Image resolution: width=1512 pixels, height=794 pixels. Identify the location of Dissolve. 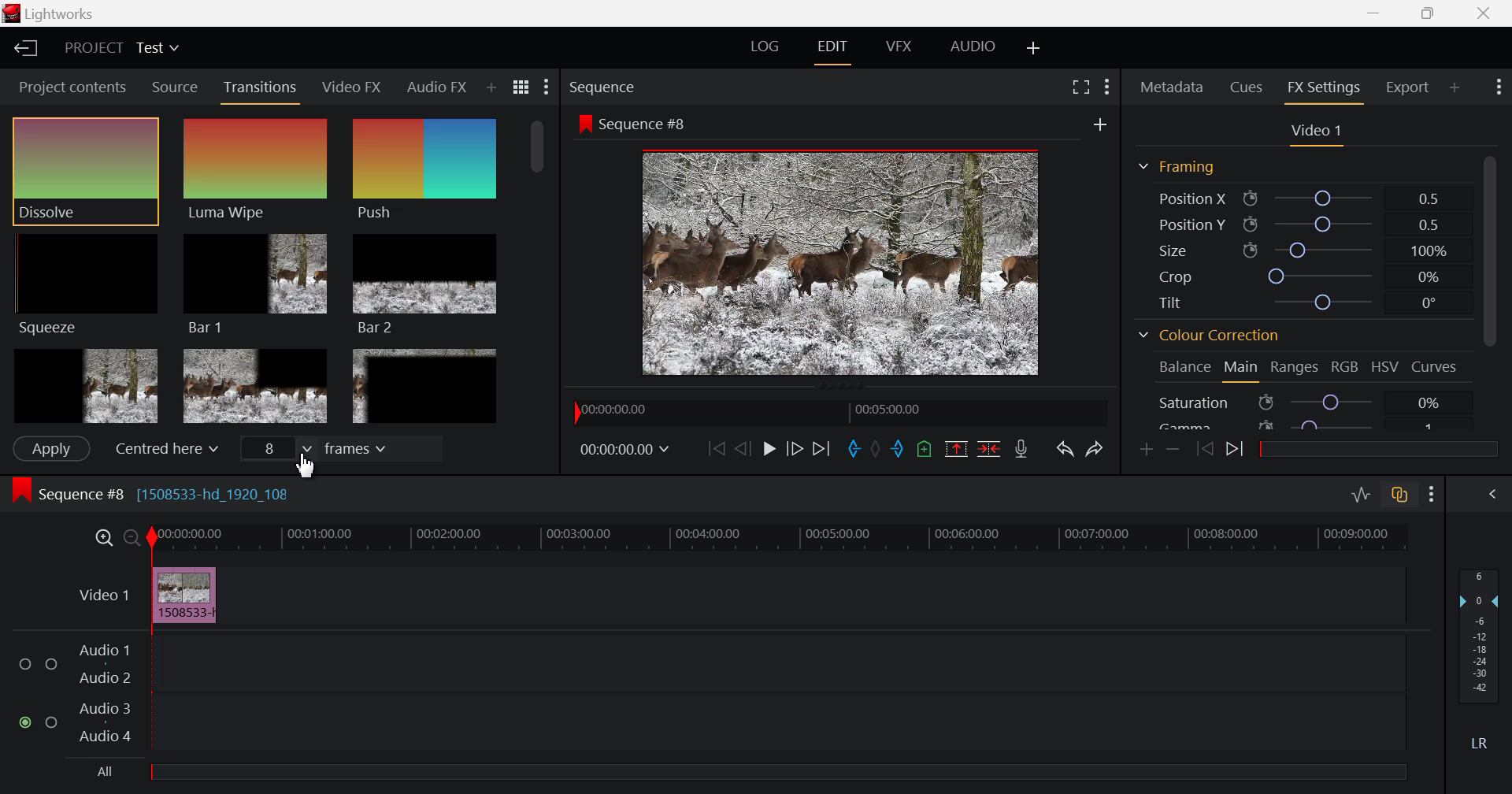
(89, 167).